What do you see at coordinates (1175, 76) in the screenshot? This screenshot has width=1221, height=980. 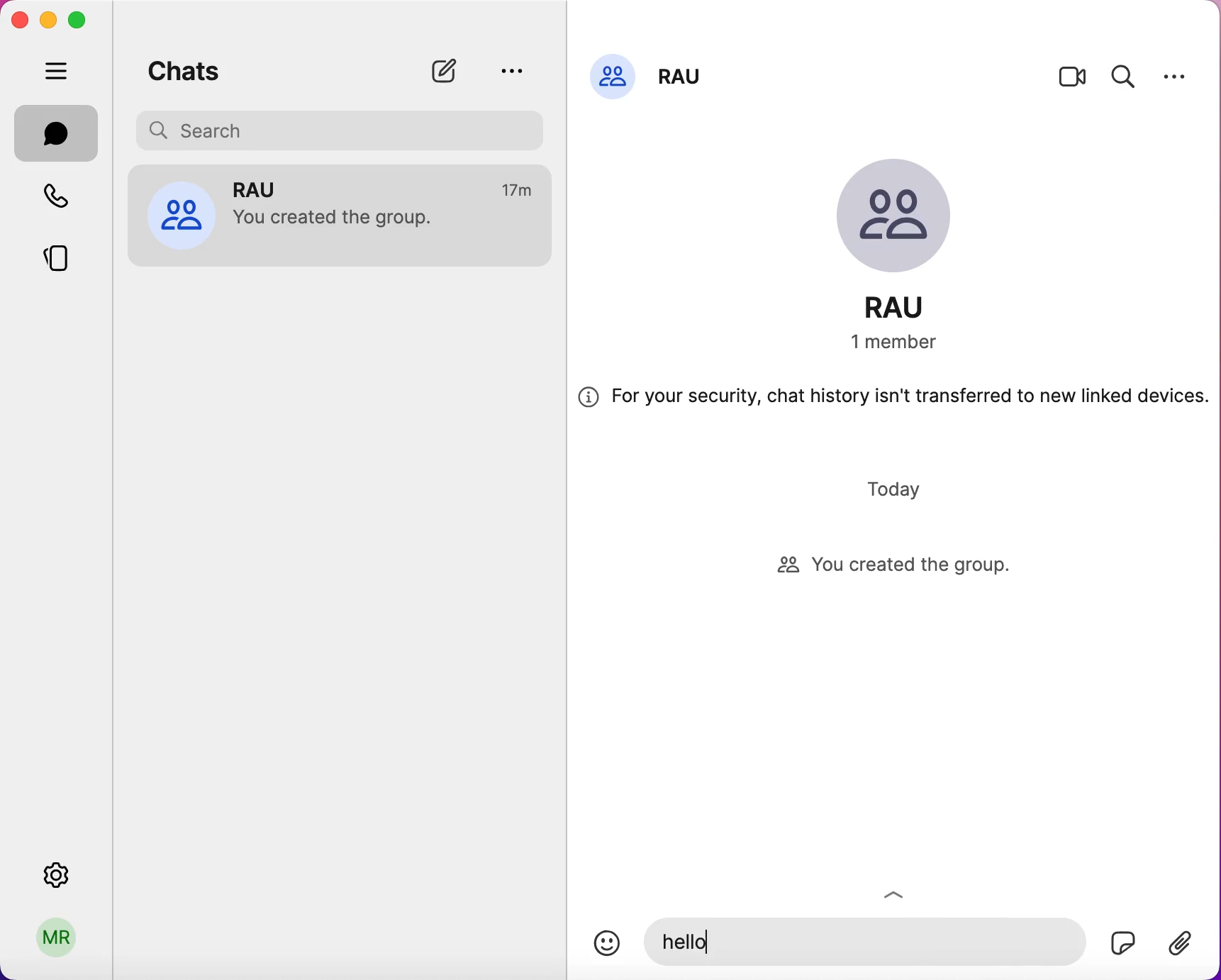 I see `settings` at bounding box center [1175, 76].